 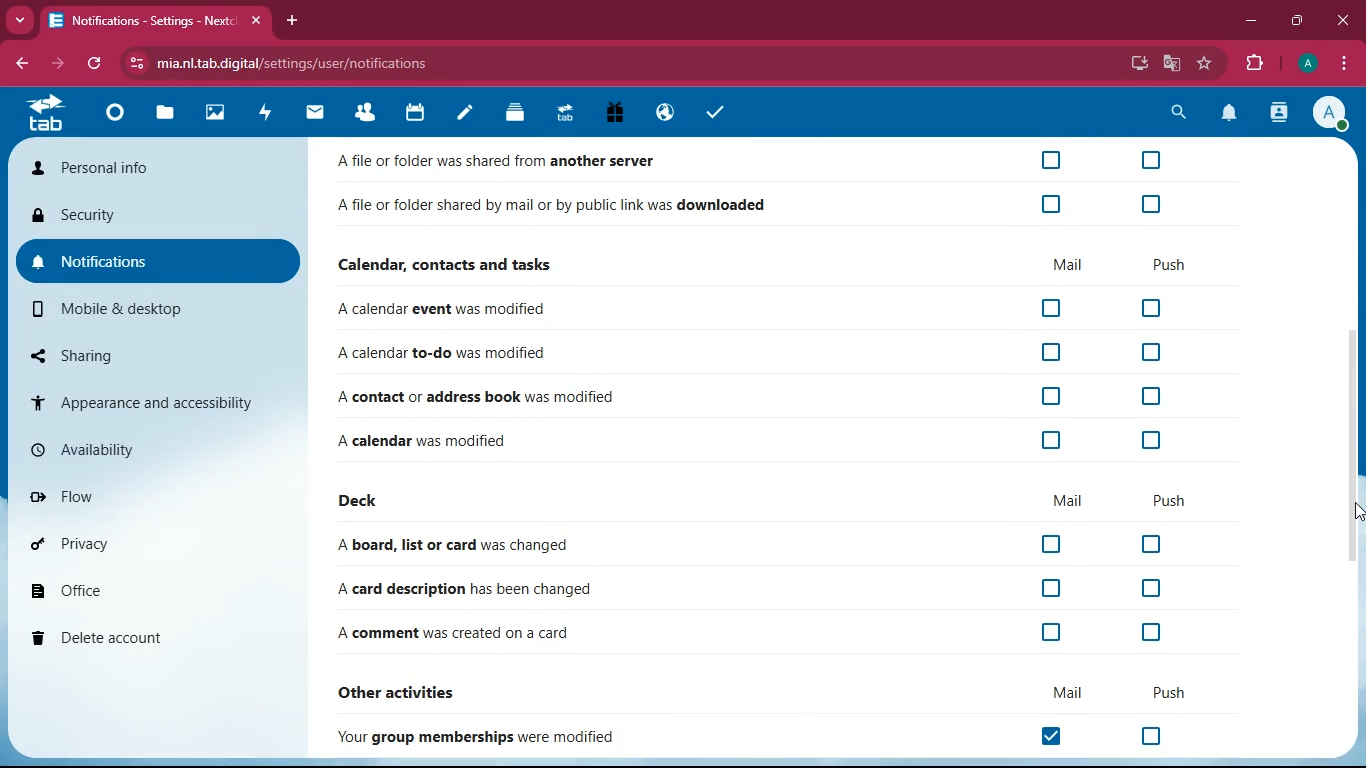 What do you see at coordinates (484, 737) in the screenshot?
I see `Your group memberships were modified` at bounding box center [484, 737].